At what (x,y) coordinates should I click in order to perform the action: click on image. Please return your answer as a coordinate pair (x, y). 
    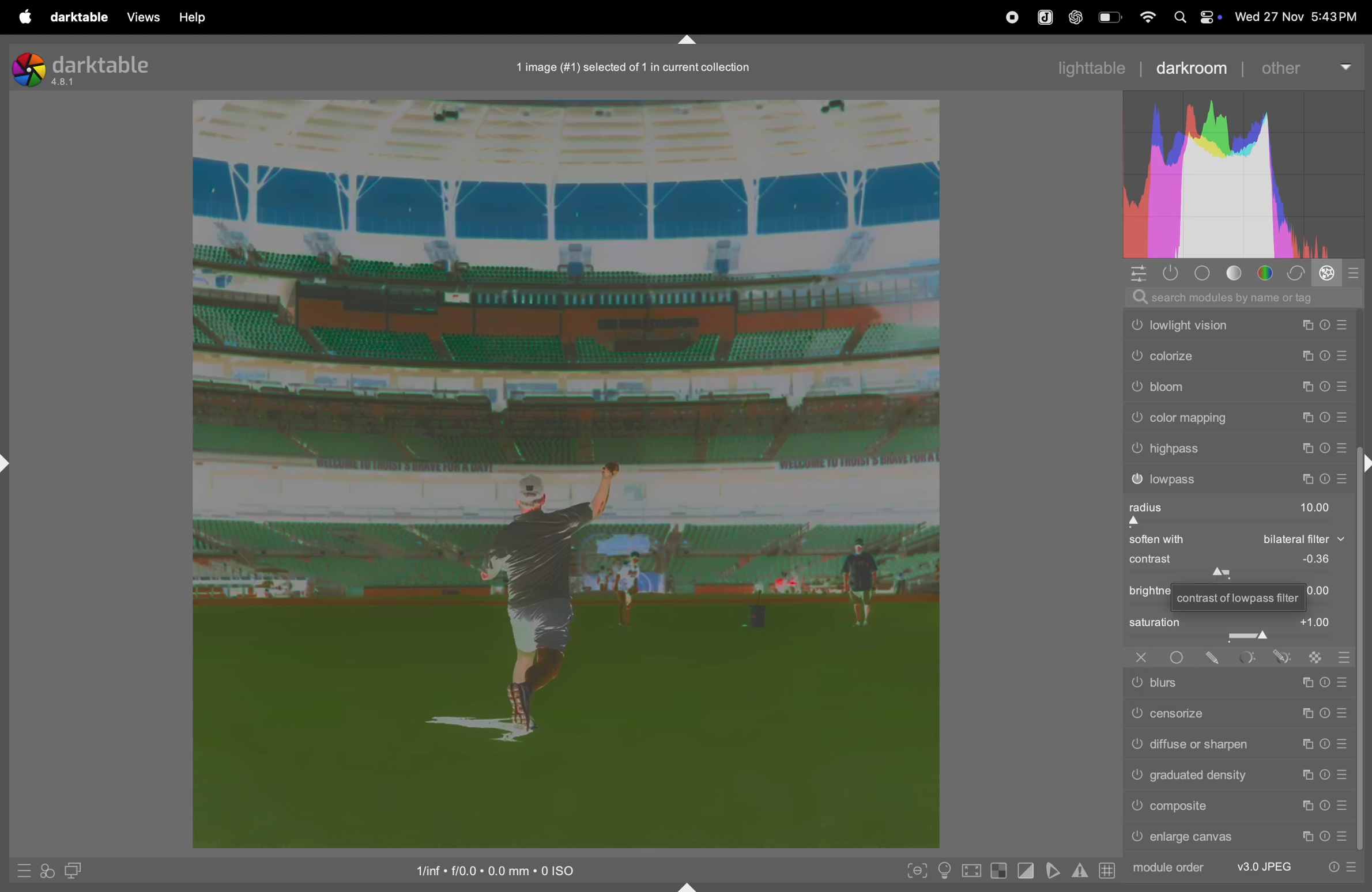
    Looking at the image, I should click on (566, 471).